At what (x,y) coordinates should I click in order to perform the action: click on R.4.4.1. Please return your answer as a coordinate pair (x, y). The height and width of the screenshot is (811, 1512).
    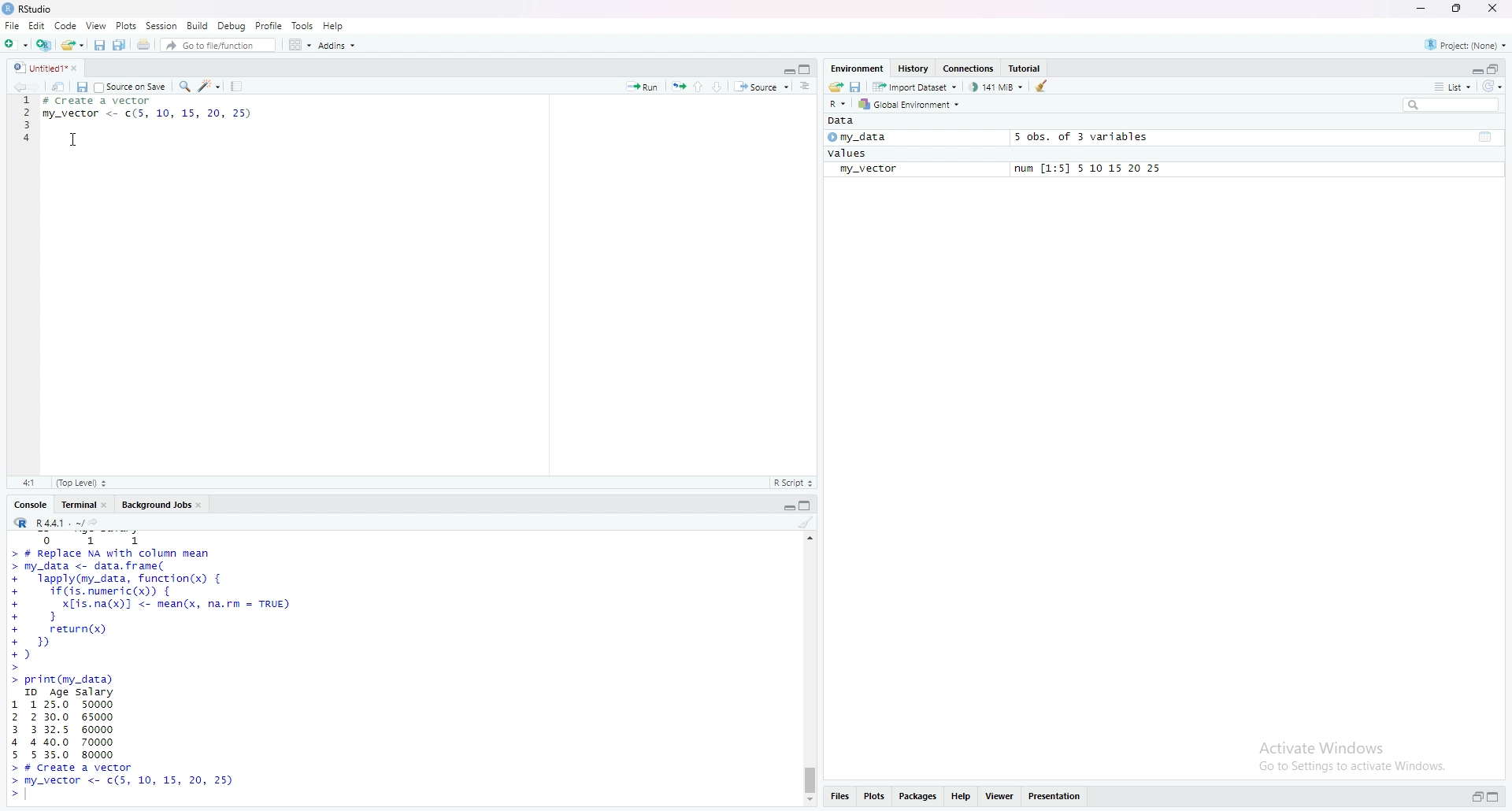
    Looking at the image, I should click on (45, 522).